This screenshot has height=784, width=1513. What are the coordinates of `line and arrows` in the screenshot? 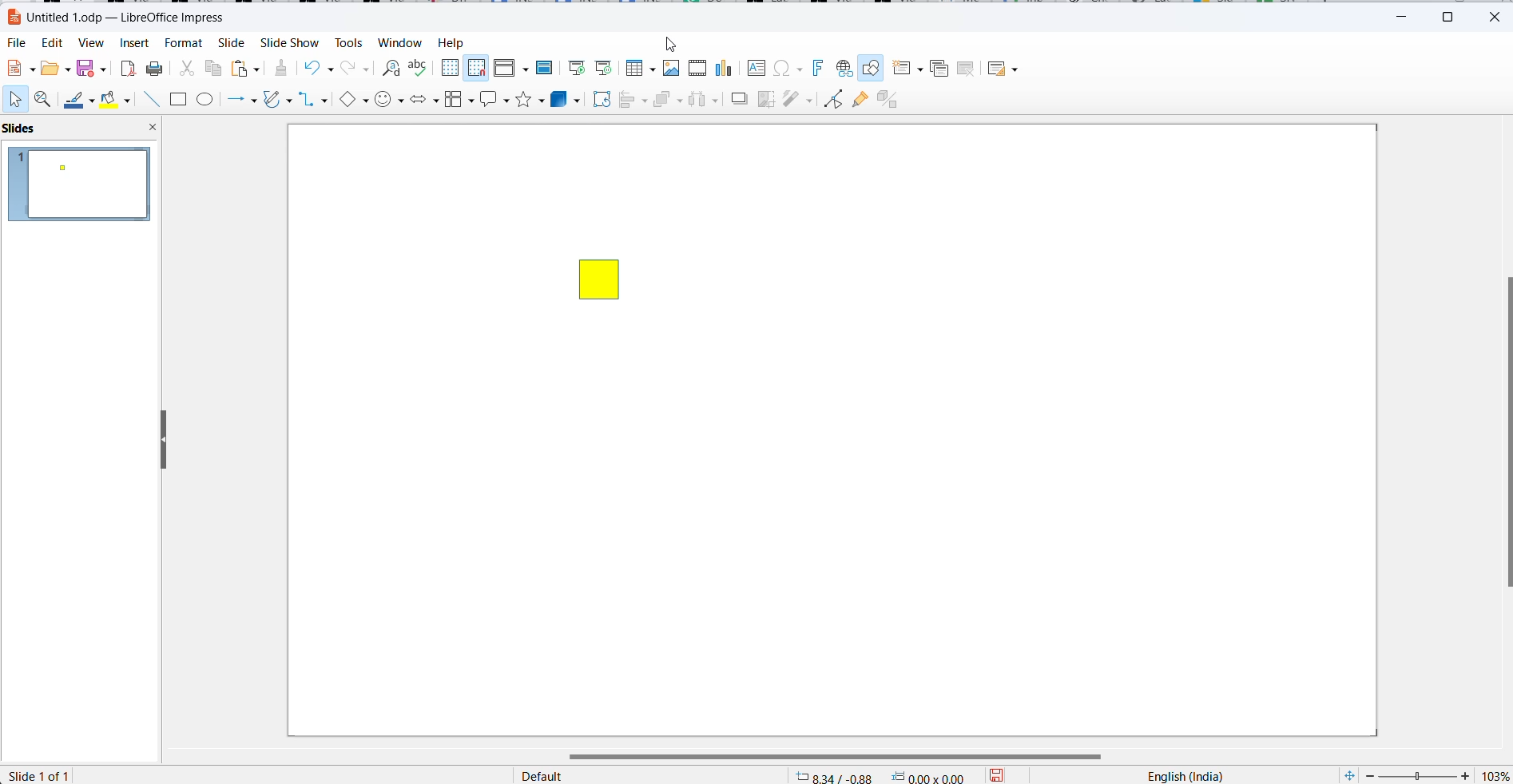 It's located at (244, 101).